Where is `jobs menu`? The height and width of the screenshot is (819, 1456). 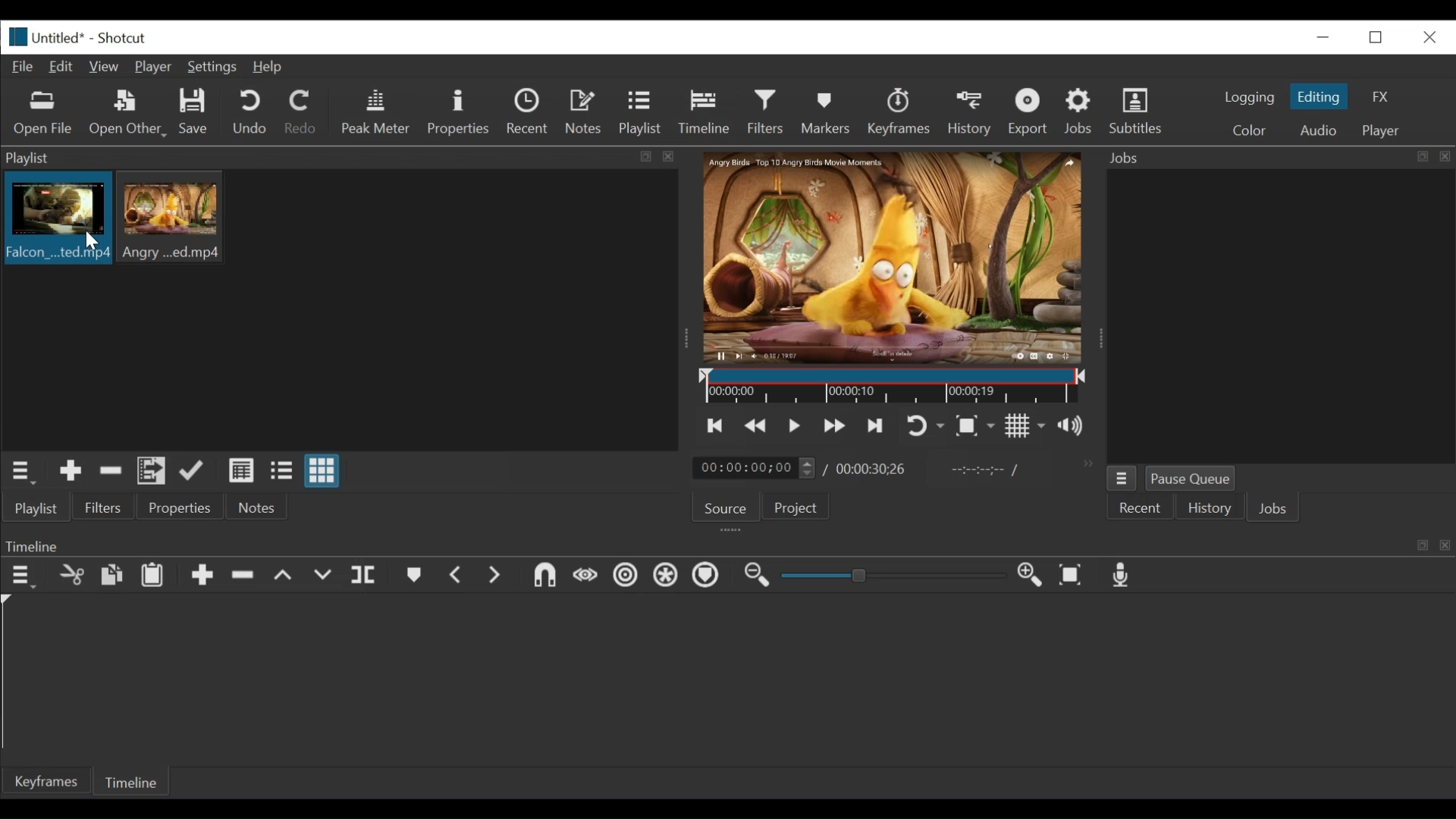
jobs menu is located at coordinates (1122, 476).